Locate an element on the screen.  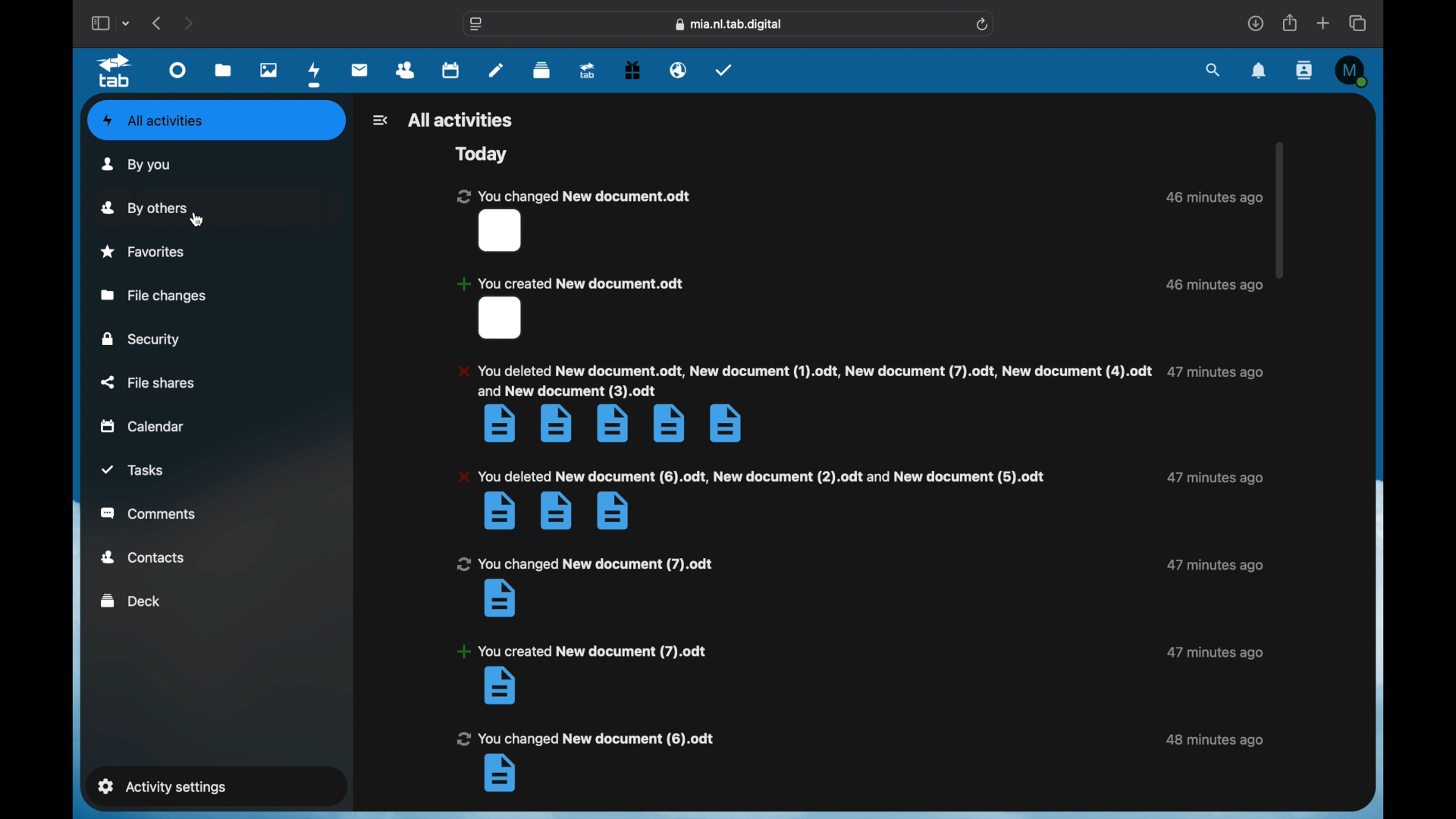
notification is located at coordinates (583, 586).